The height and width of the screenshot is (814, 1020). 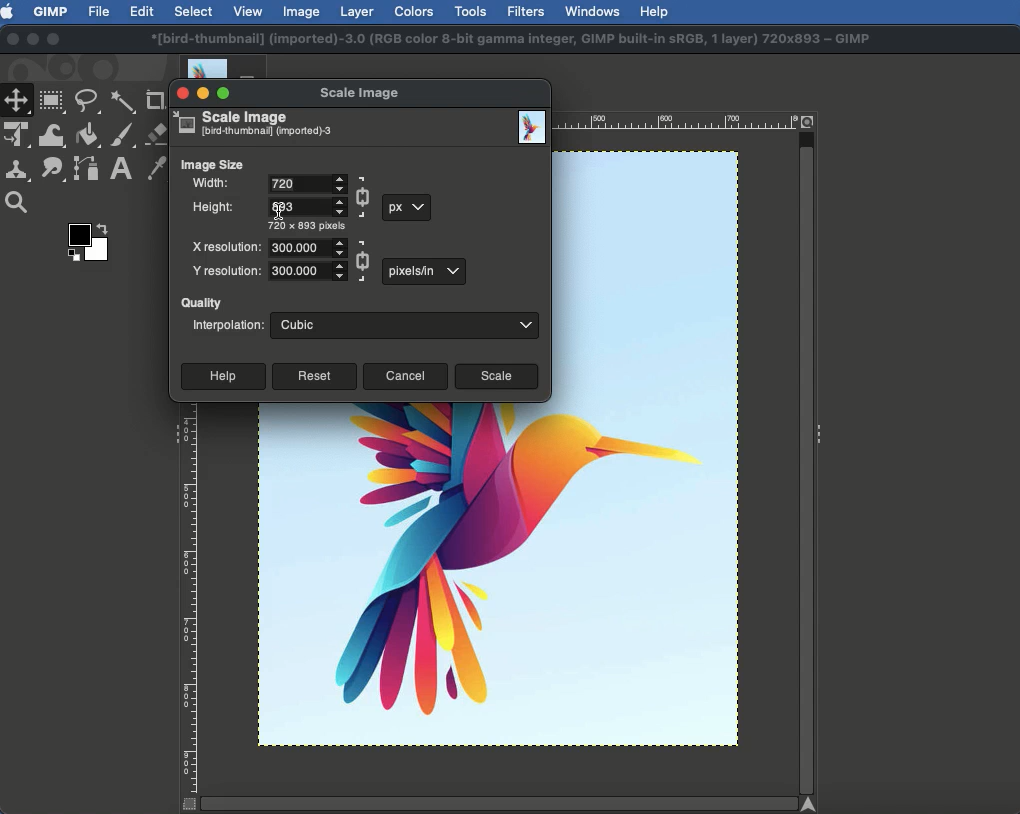 I want to click on Color picker, so click(x=157, y=169).